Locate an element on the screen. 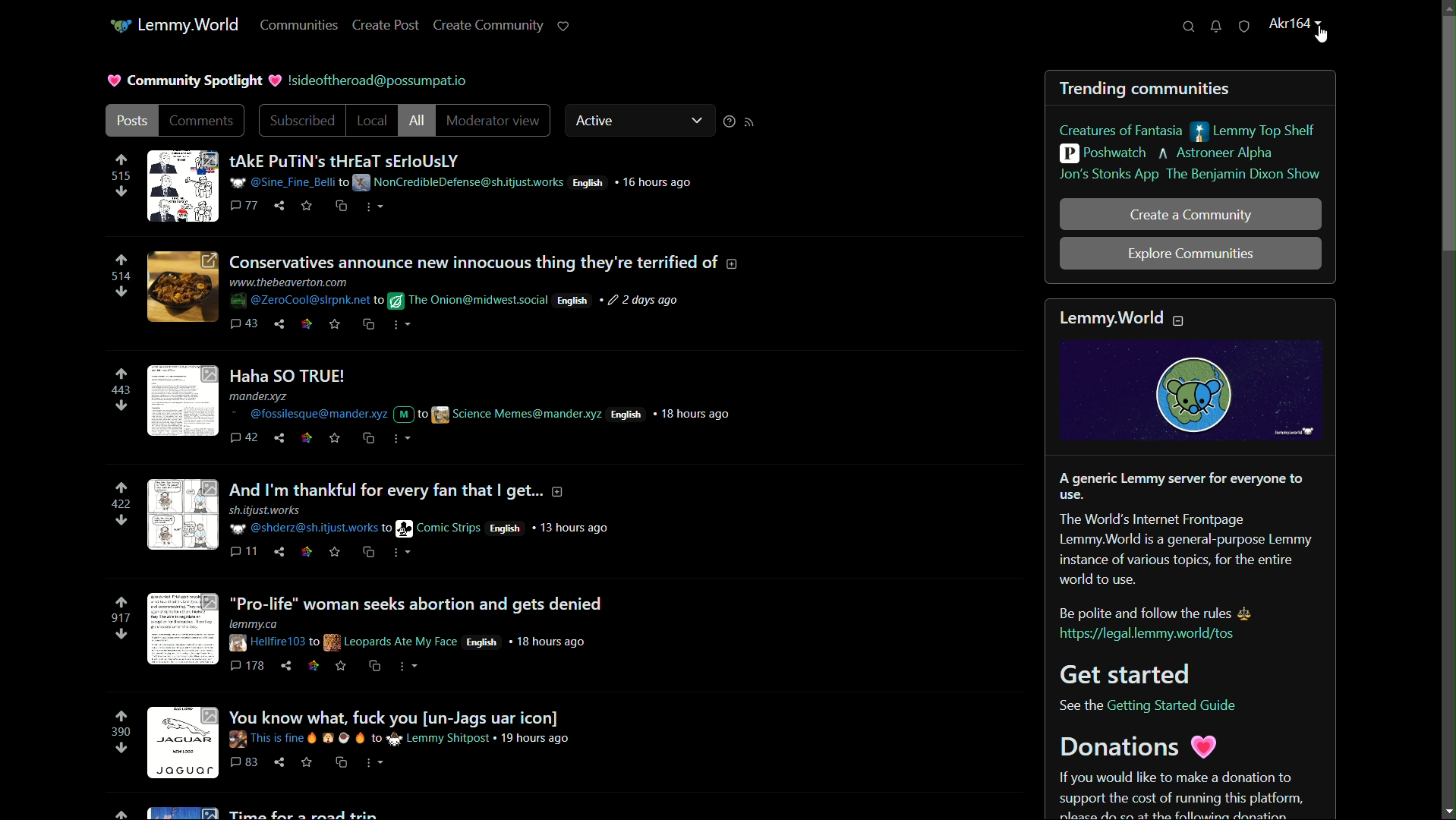  trending communities is located at coordinates (1146, 90).